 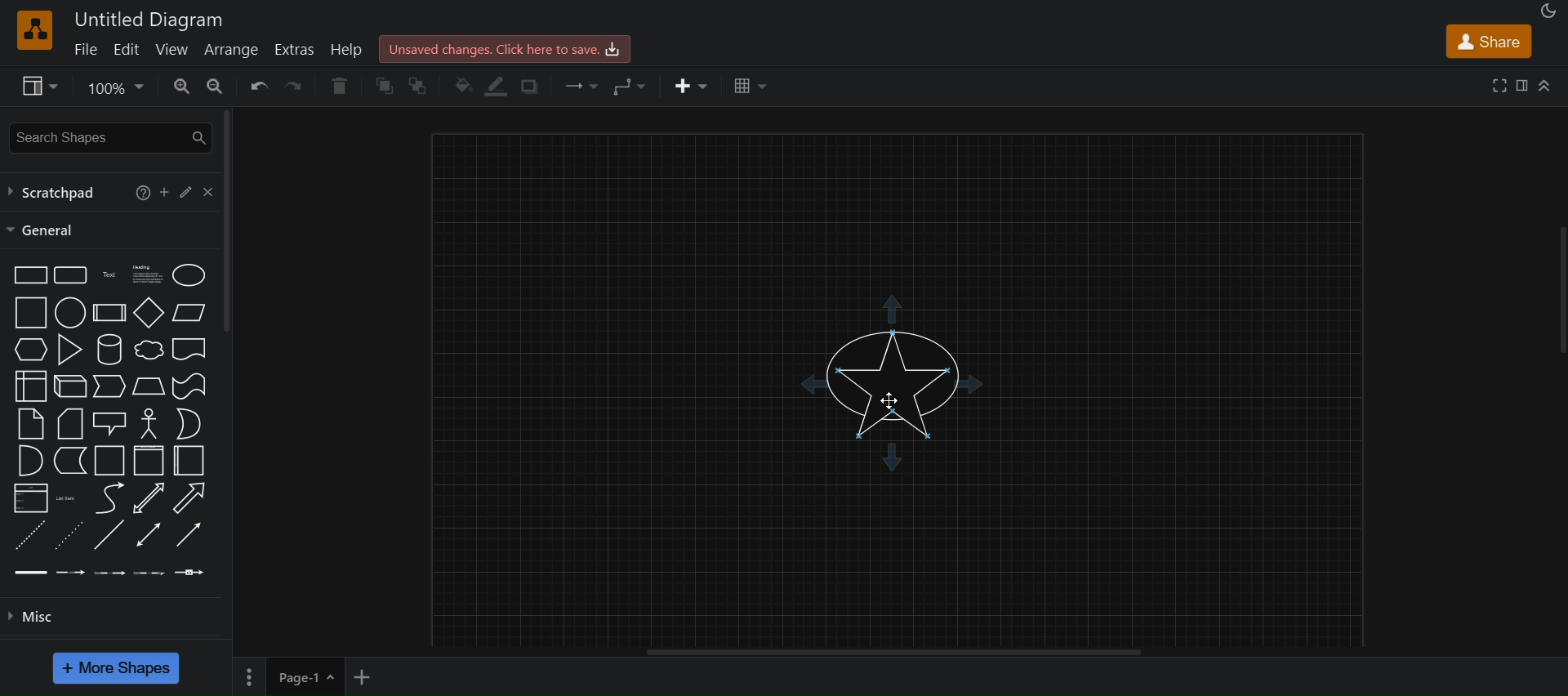 What do you see at coordinates (889, 379) in the screenshot?
I see `shapes` at bounding box center [889, 379].